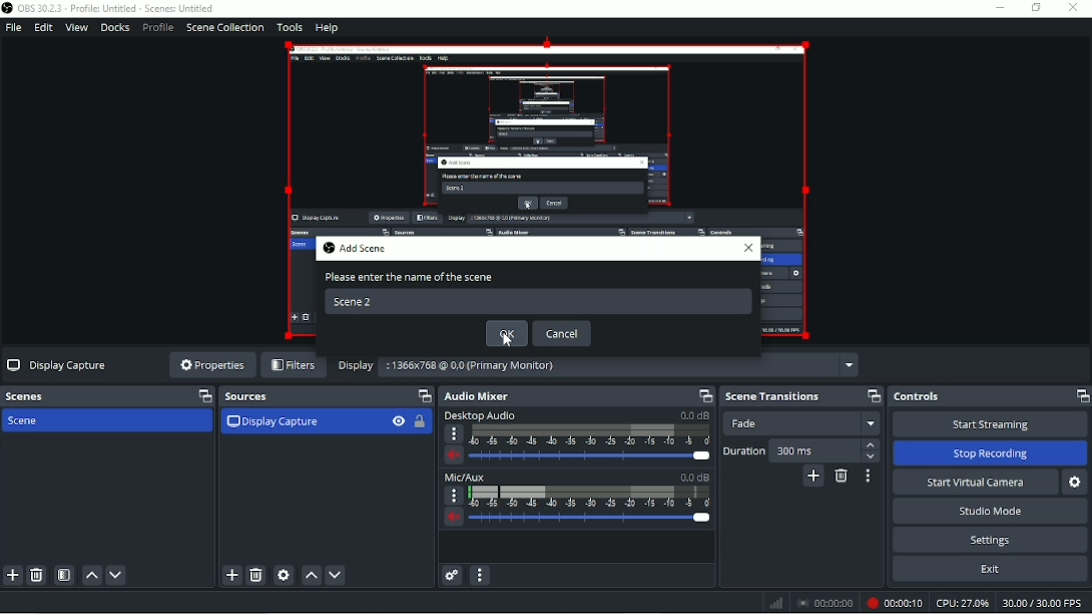 This screenshot has width=1092, height=614. Describe the element at coordinates (14, 28) in the screenshot. I see `File` at that location.